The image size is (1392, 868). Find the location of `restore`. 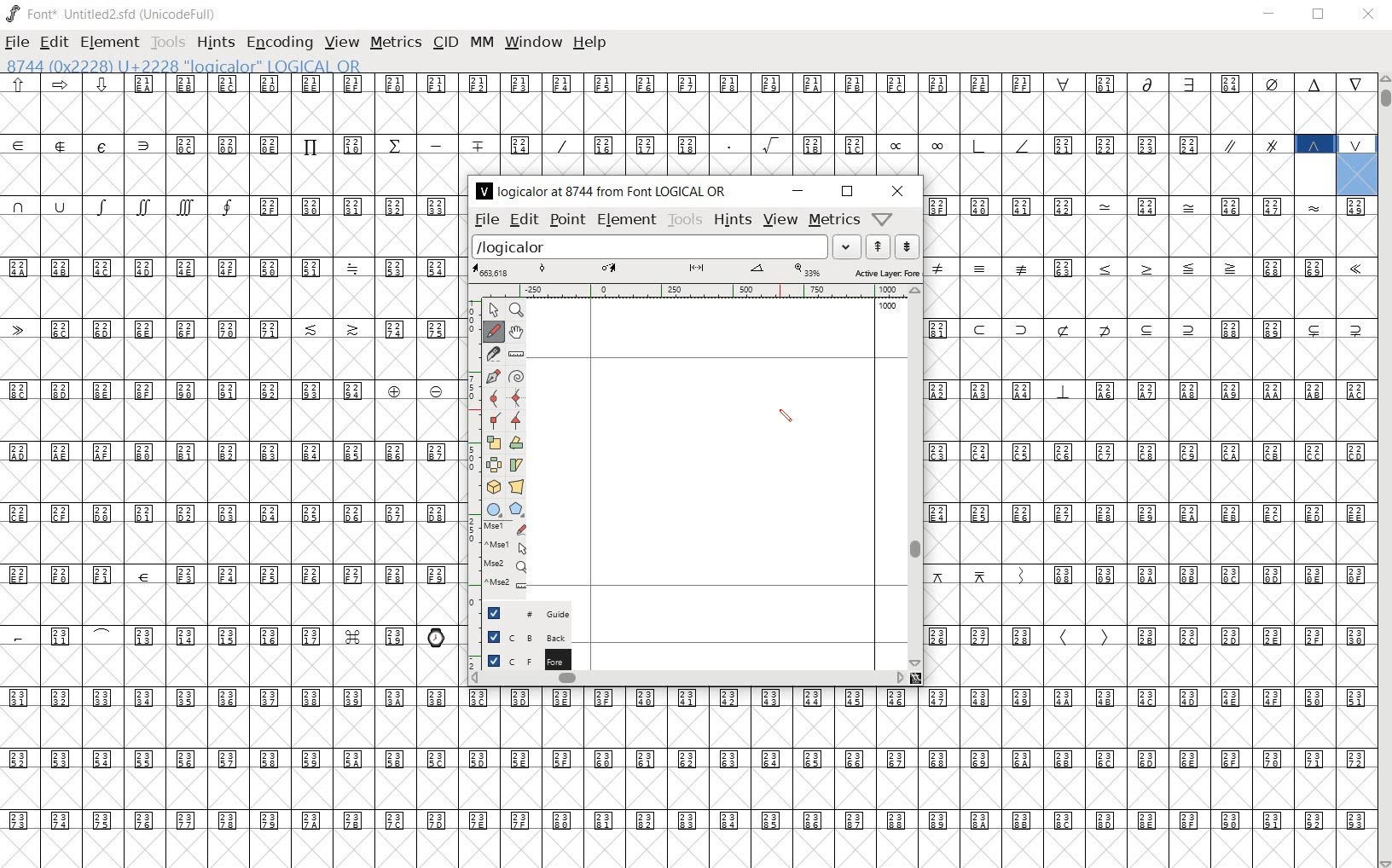

restore is located at coordinates (847, 192).